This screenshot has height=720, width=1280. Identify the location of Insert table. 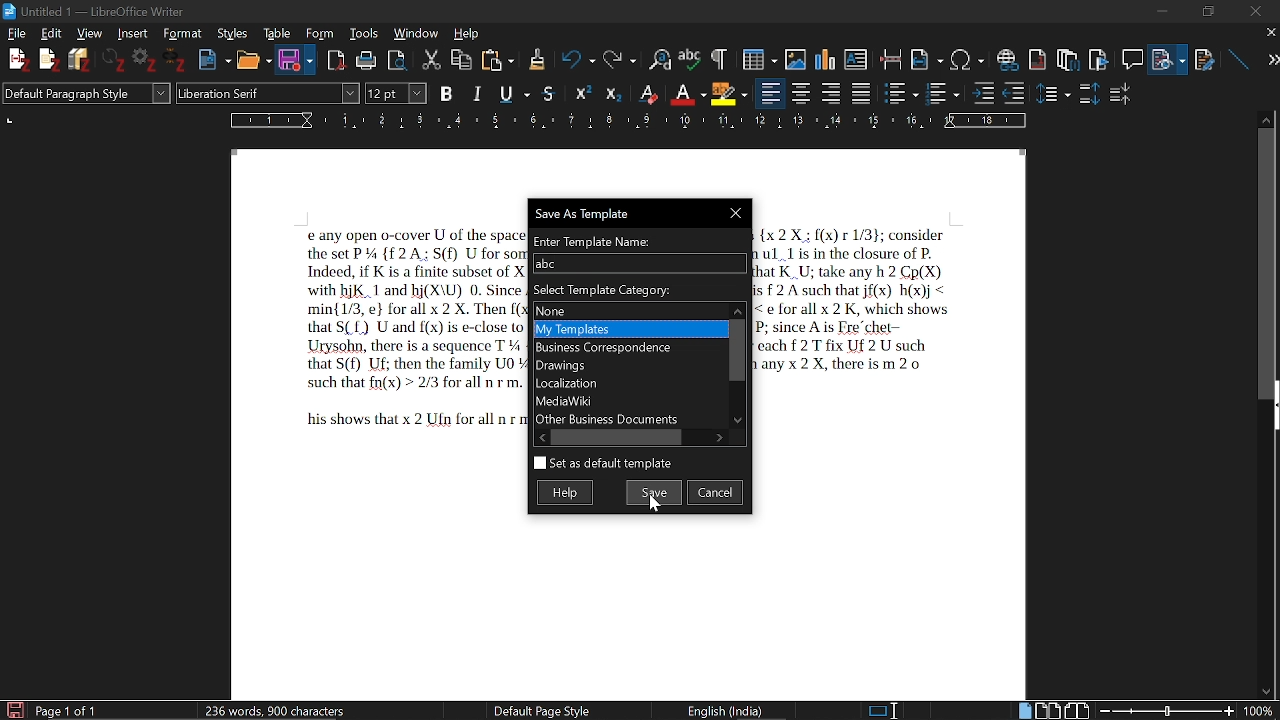
(752, 57).